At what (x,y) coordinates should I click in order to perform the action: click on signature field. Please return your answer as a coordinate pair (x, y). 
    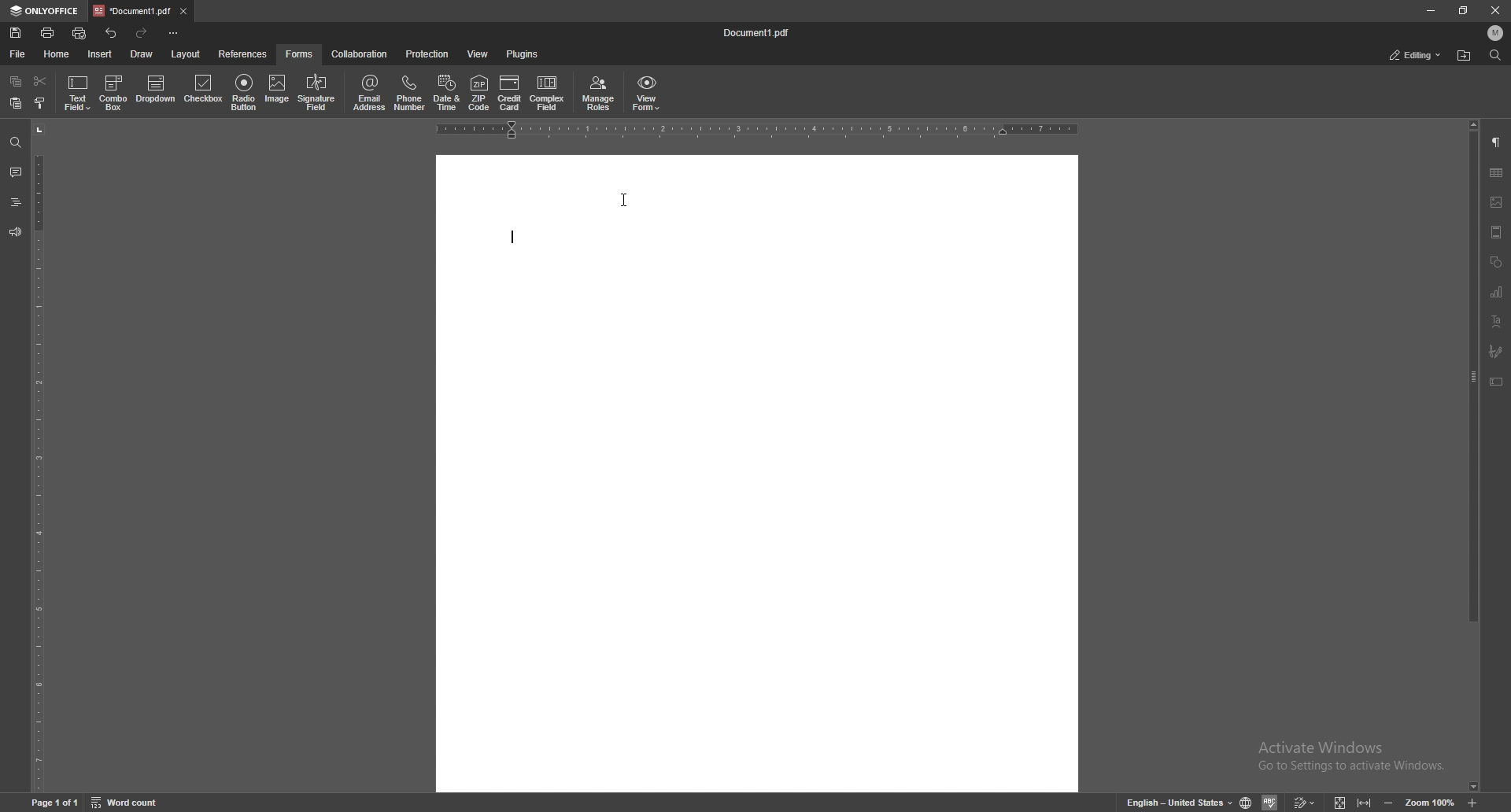
    Looking at the image, I should click on (317, 93).